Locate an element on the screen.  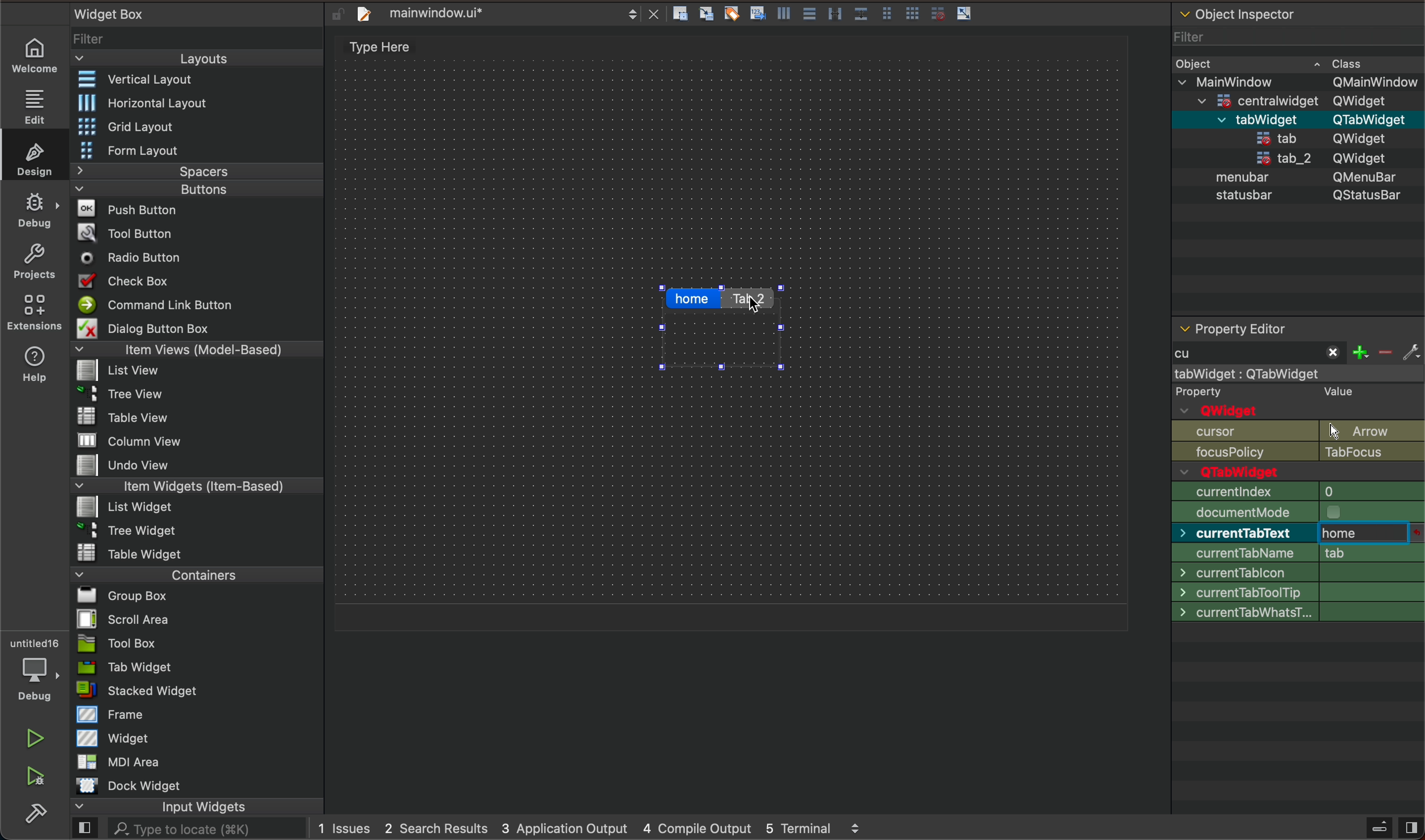
Dialog Button Box is located at coordinates (139, 327).